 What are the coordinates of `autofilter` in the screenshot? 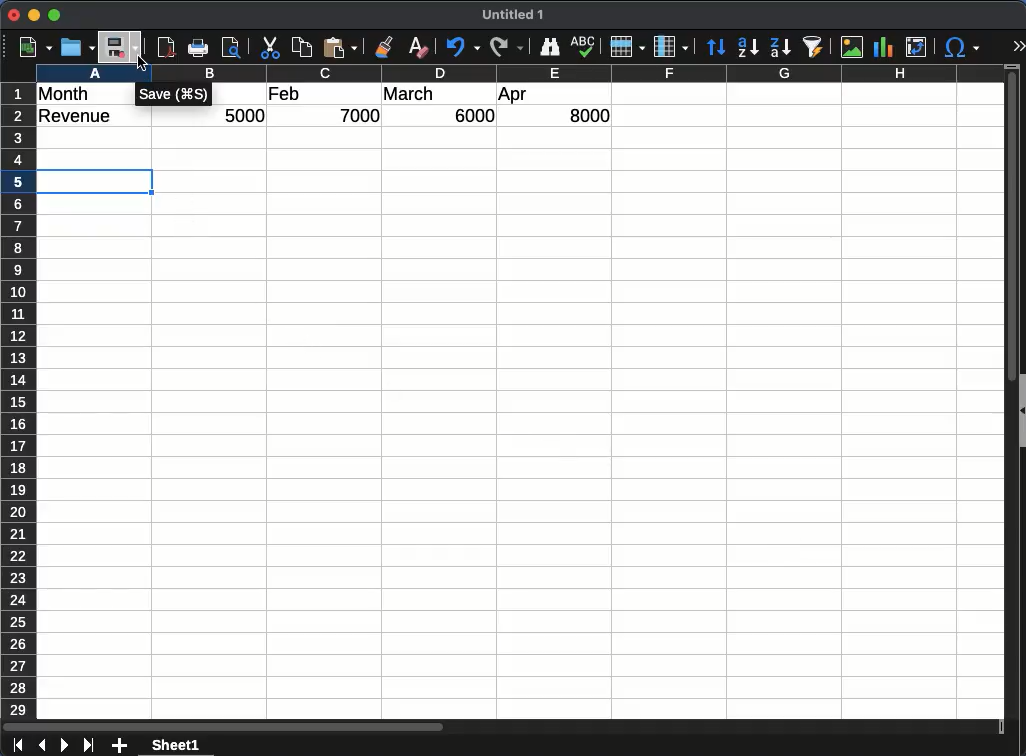 It's located at (813, 47).